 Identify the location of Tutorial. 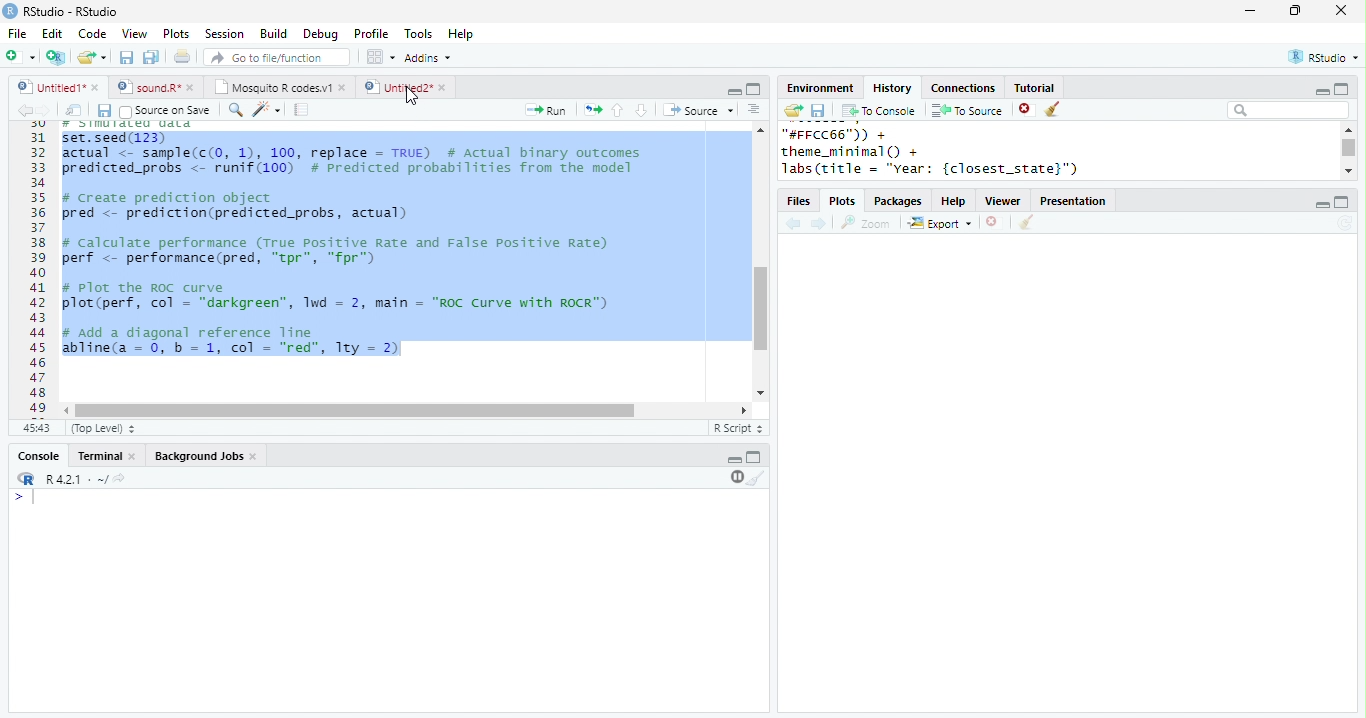
(1033, 87).